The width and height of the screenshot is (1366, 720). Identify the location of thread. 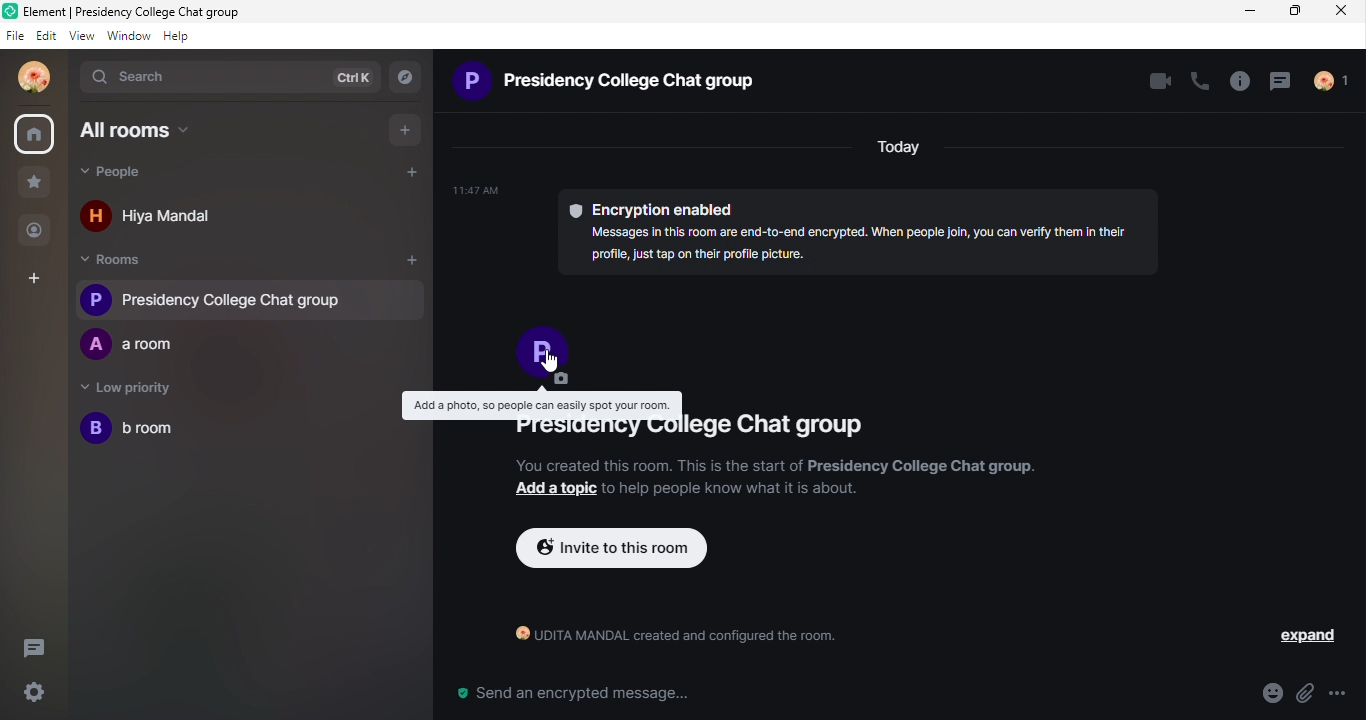
(1280, 82).